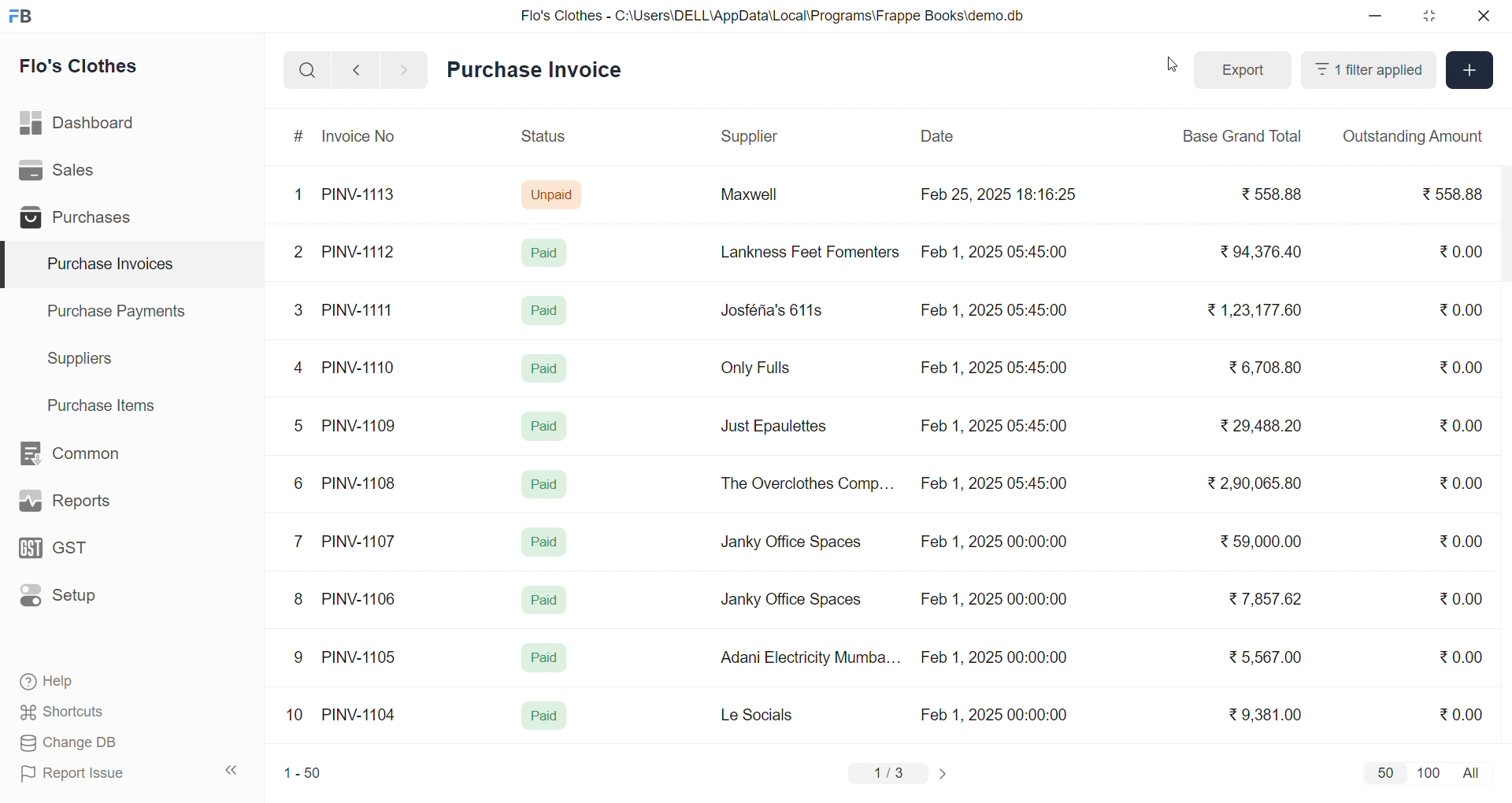 This screenshot has height=803, width=1512. I want to click on ₹0.00, so click(1461, 713).